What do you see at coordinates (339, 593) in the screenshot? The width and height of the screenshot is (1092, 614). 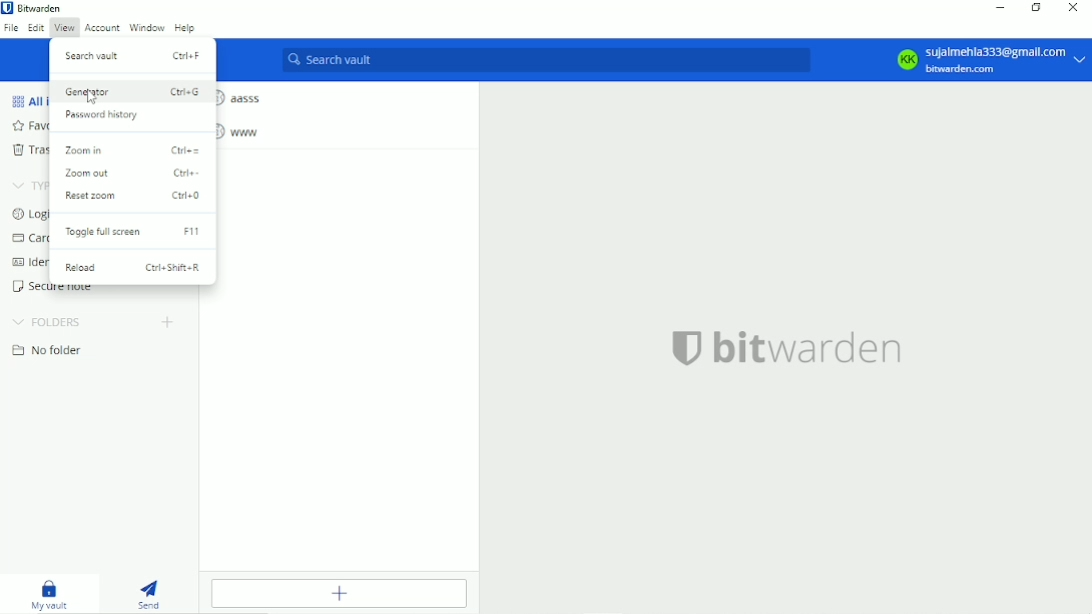 I see `Add item` at bounding box center [339, 593].